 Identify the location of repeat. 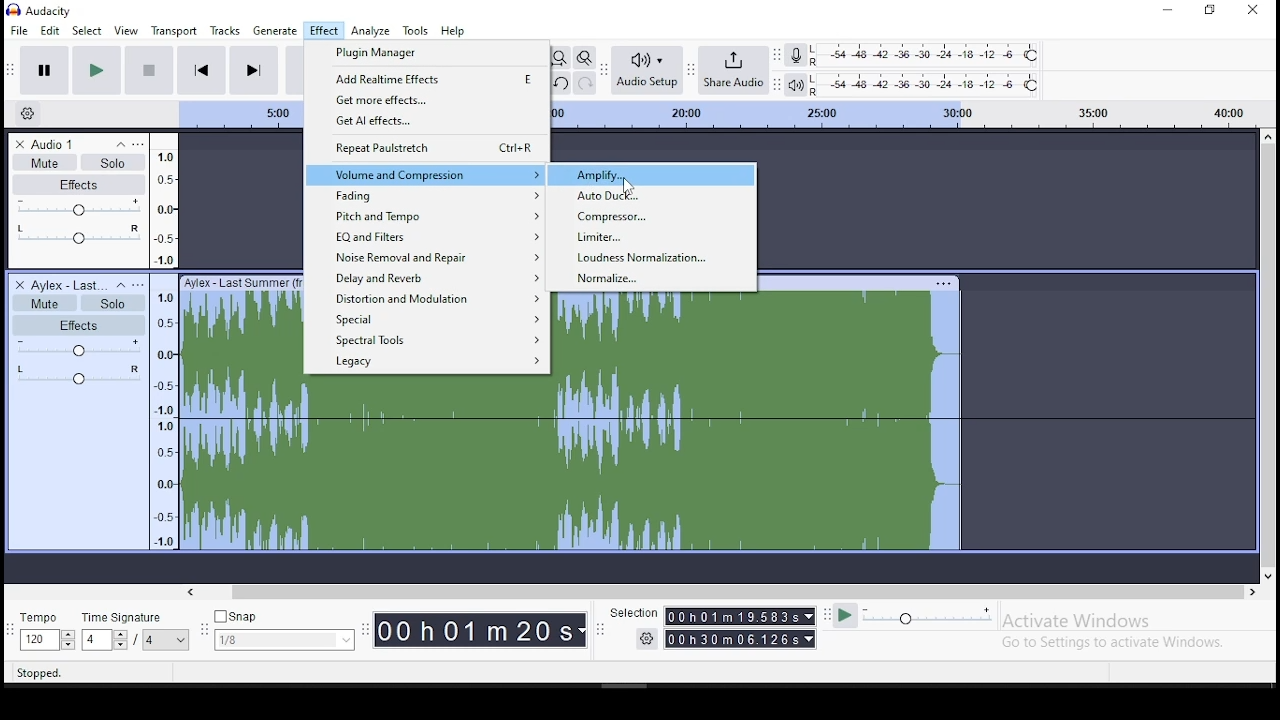
(426, 150).